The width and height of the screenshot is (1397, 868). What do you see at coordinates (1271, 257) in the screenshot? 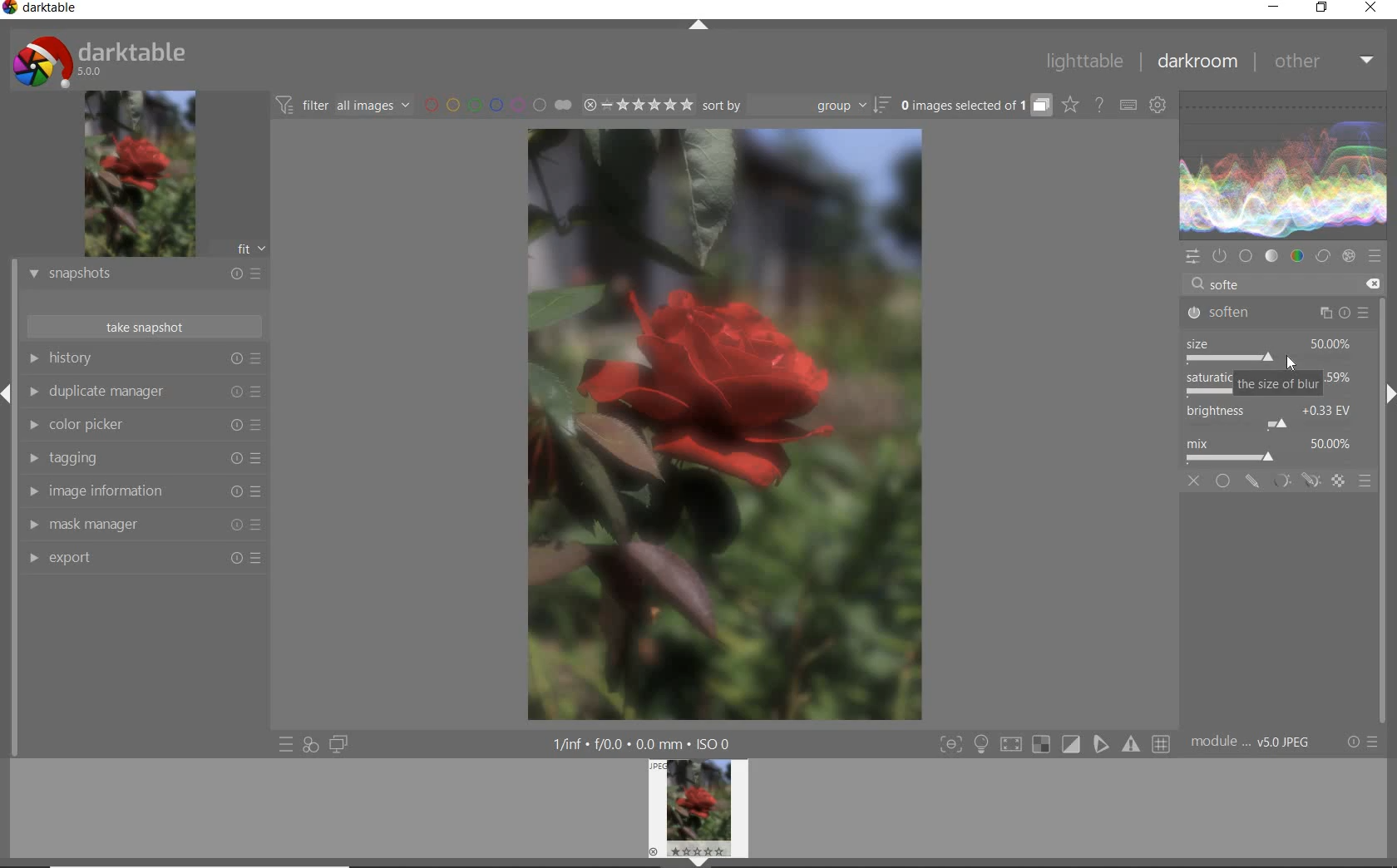
I see `tone` at bounding box center [1271, 257].